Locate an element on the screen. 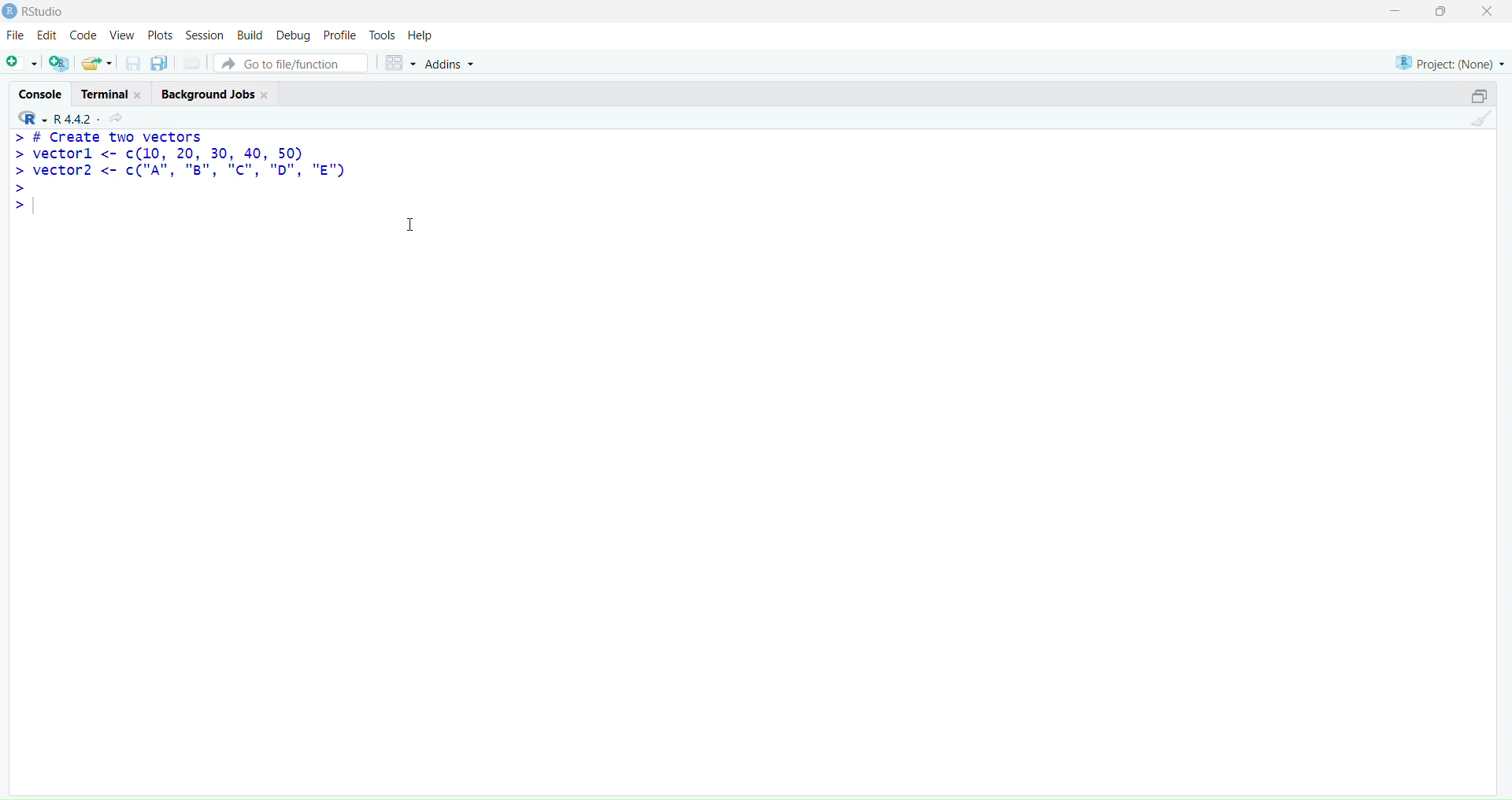  minimize is located at coordinates (1481, 97).